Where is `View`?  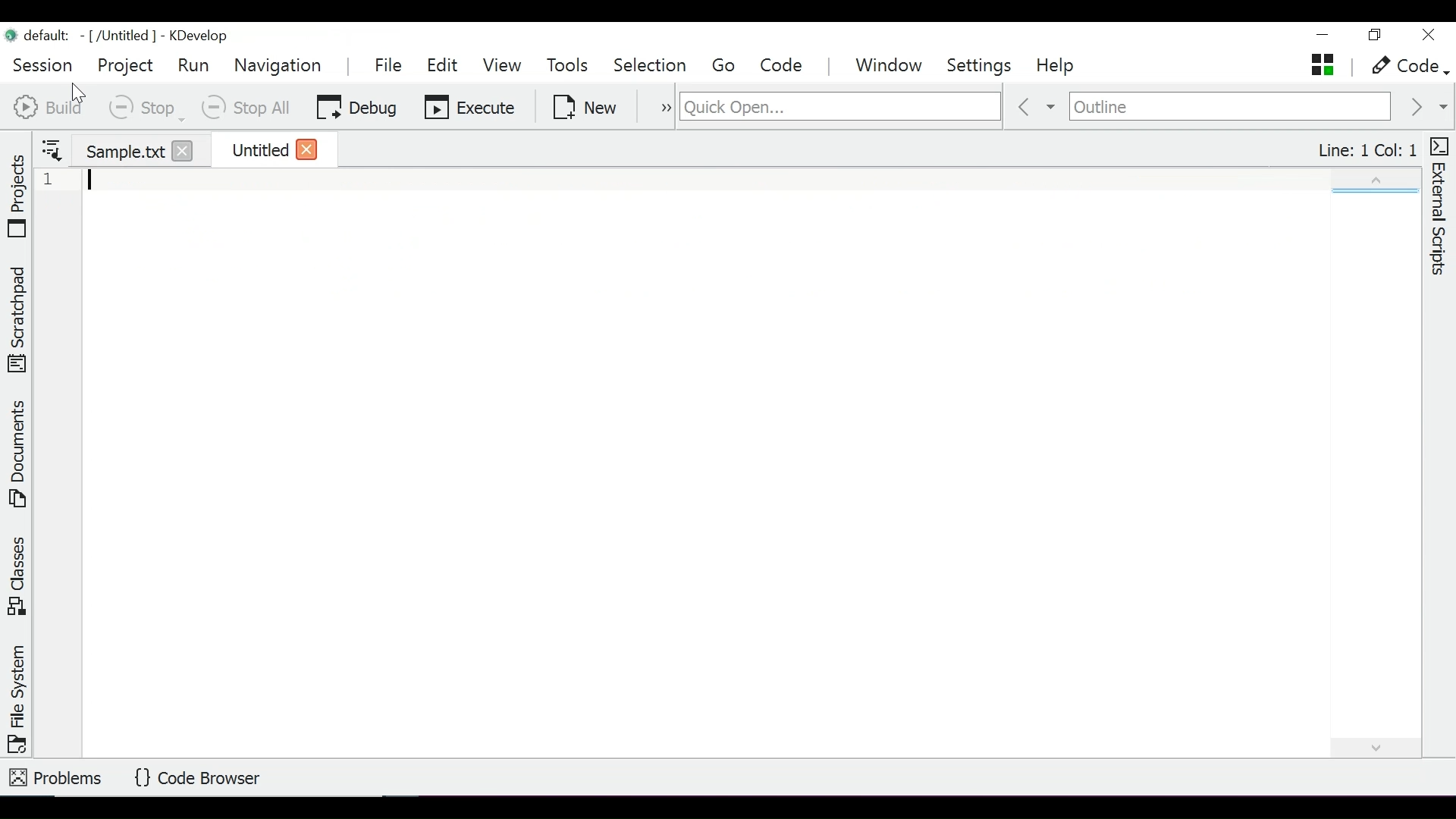
View is located at coordinates (504, 66).